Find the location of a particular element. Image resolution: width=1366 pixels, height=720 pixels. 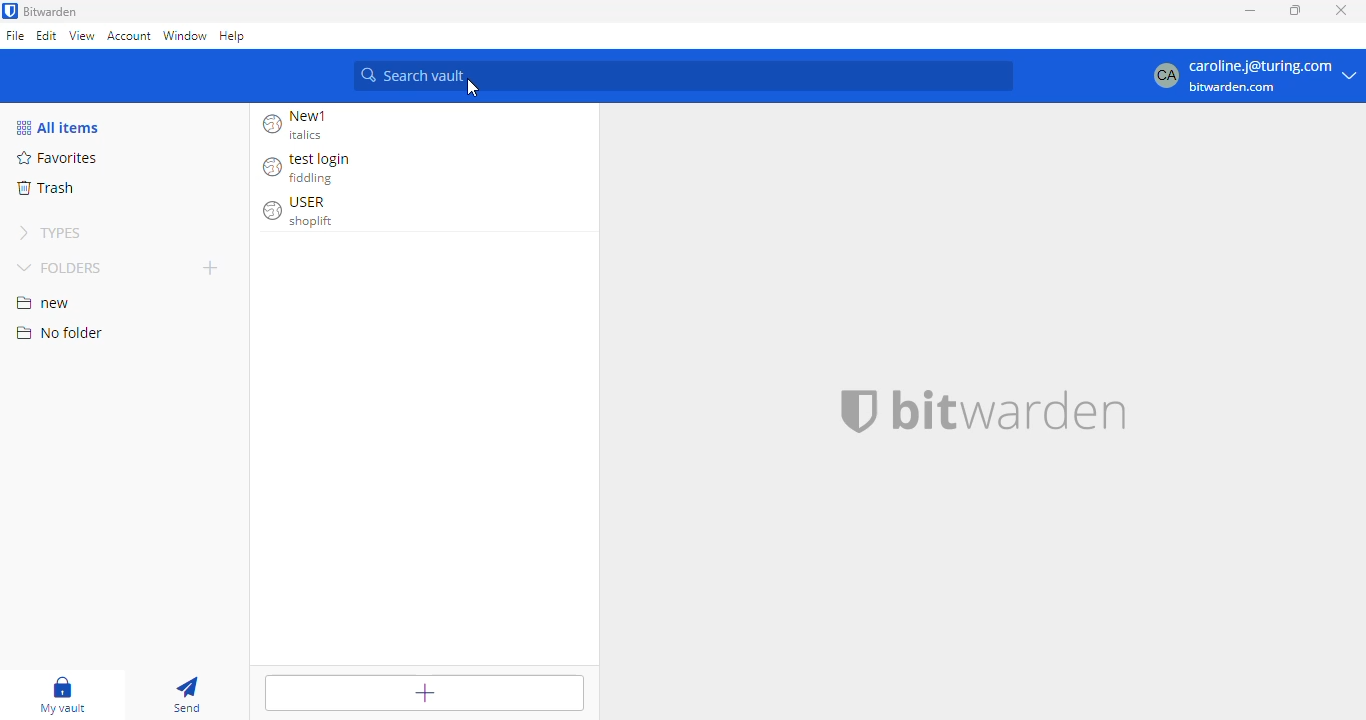

bitwarden is located at coordinates (1010, 409).